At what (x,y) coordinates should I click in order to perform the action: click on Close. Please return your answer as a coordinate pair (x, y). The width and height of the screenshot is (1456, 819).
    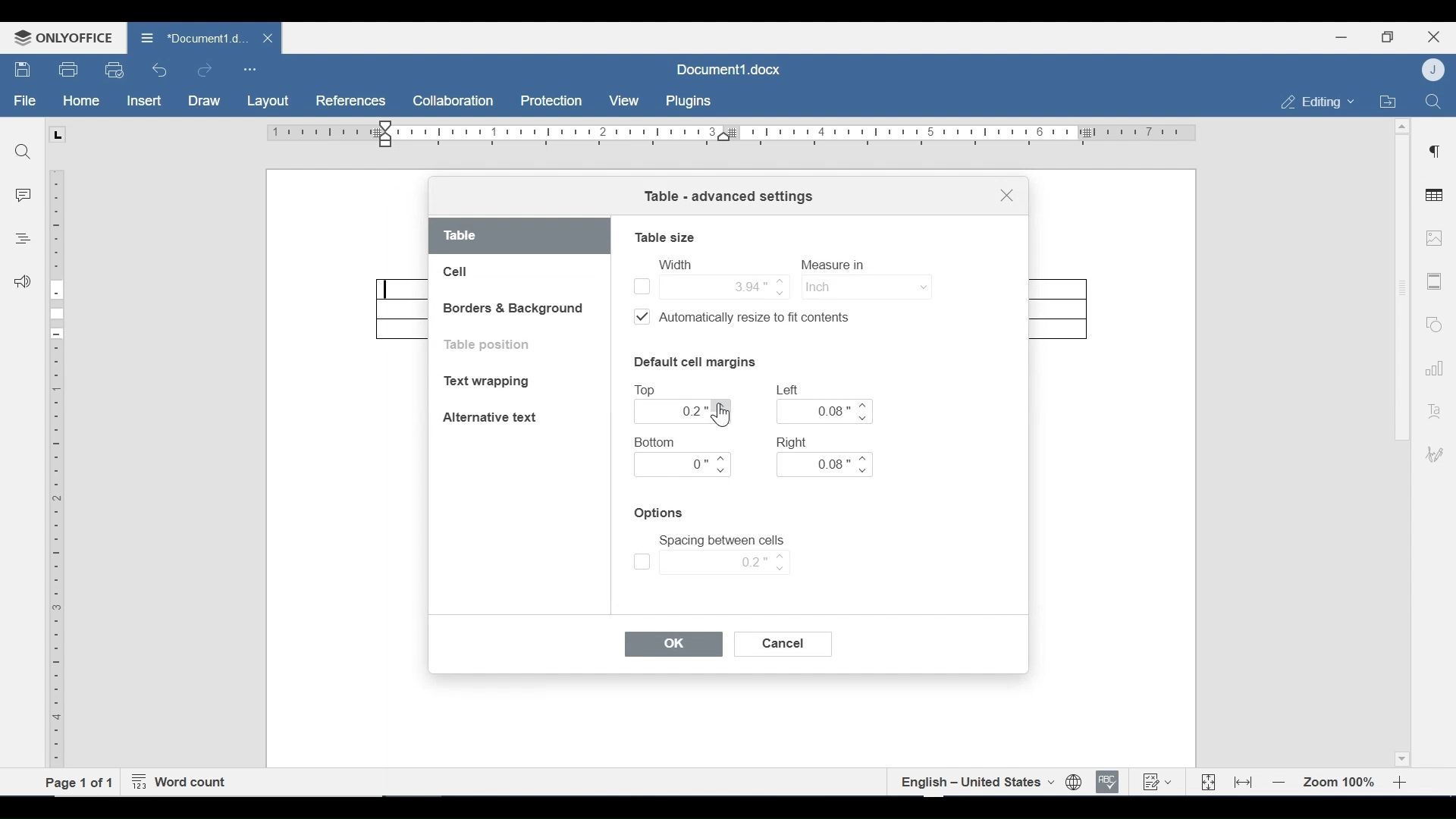
    Looking at the image, I should click on (1006, 198).